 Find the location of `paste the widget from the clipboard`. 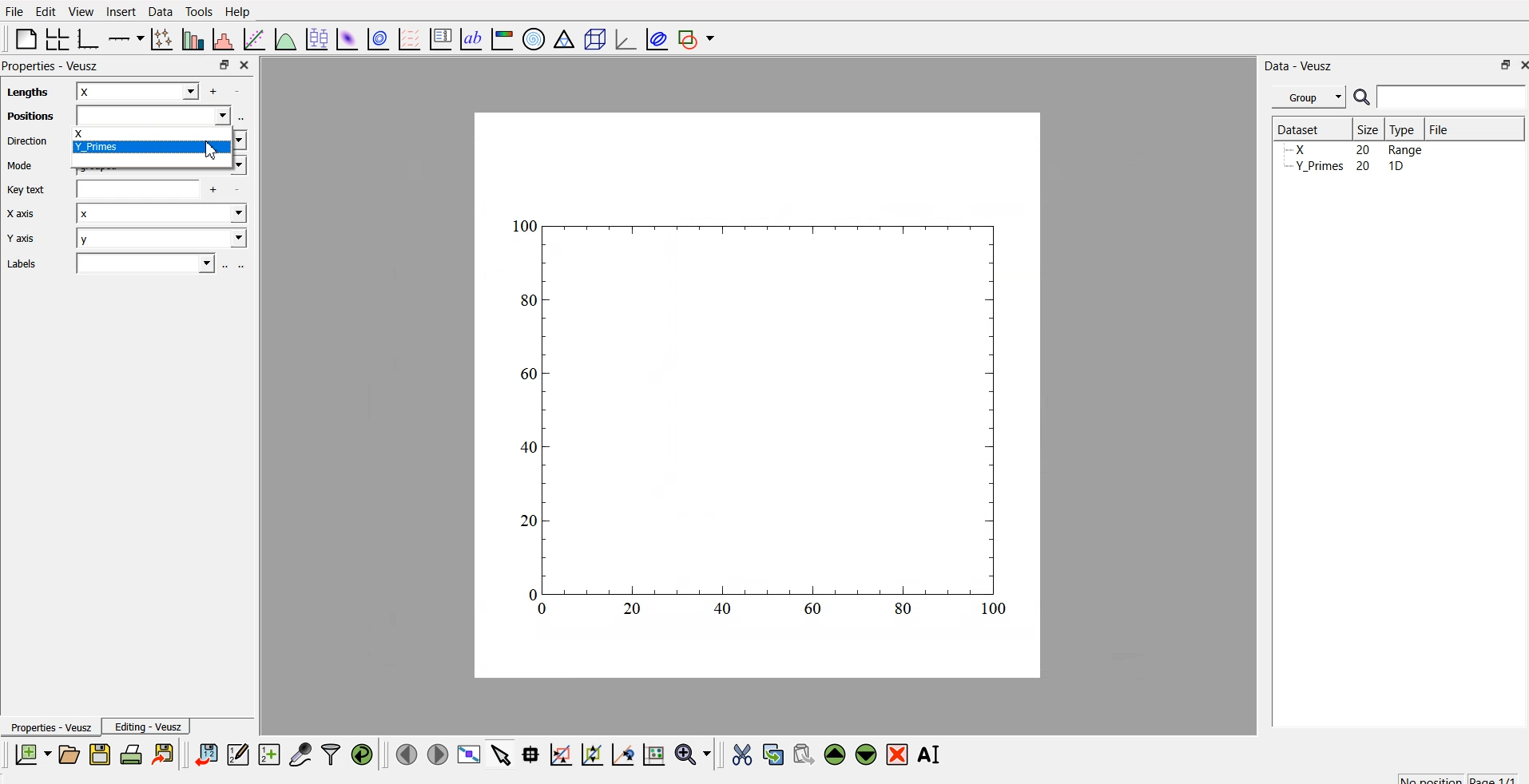

paste the widget from the clipboard is located at coordinates (804, 754).